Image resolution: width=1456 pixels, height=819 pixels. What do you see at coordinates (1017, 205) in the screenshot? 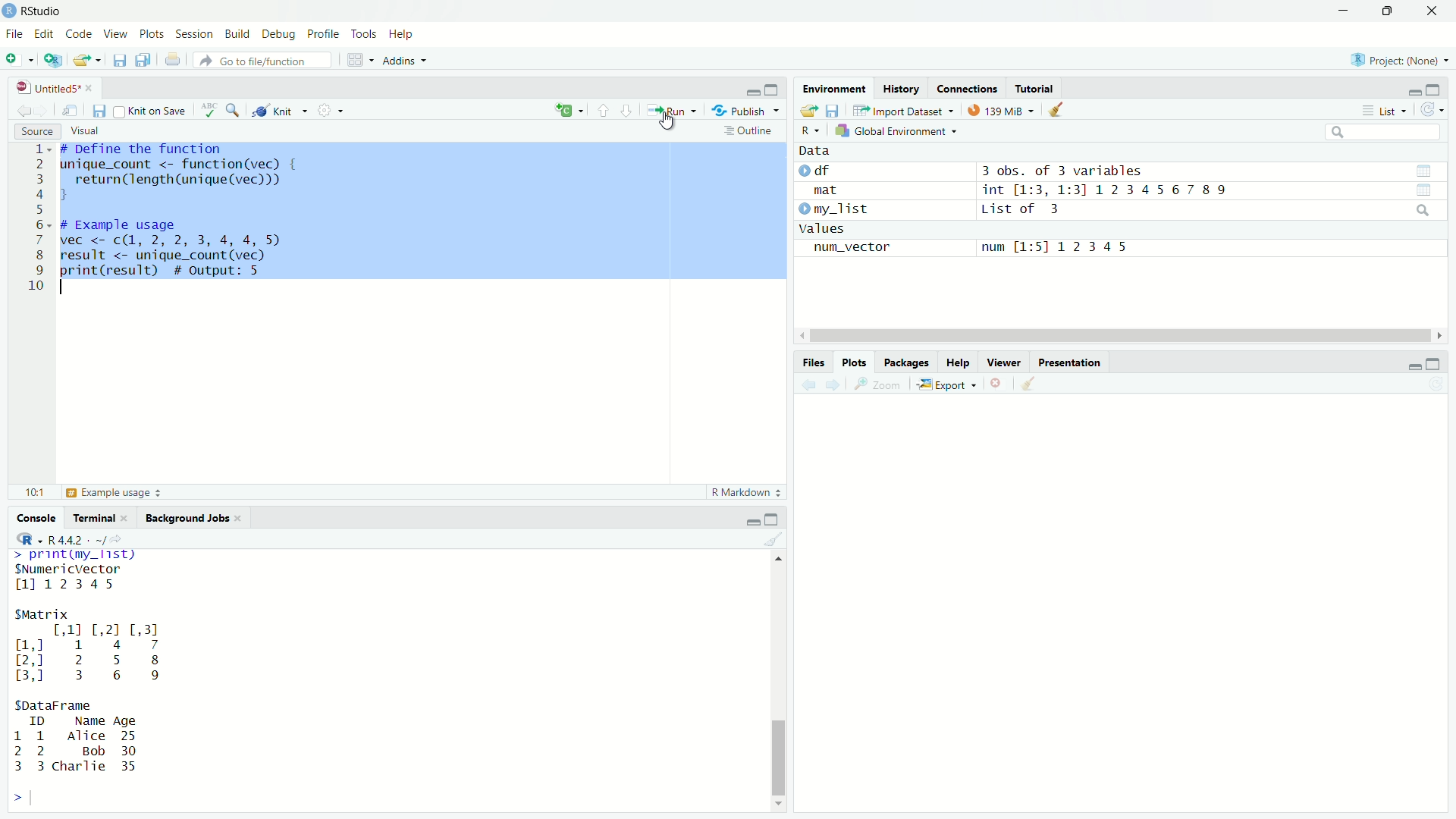
I see `Data df 3 obs. of 3 variablesmat int [1:3, 1:31 1234567 89 my_list List of 3valuesnum_vector num [1:51 12345` at bounding box center [1017, 205].